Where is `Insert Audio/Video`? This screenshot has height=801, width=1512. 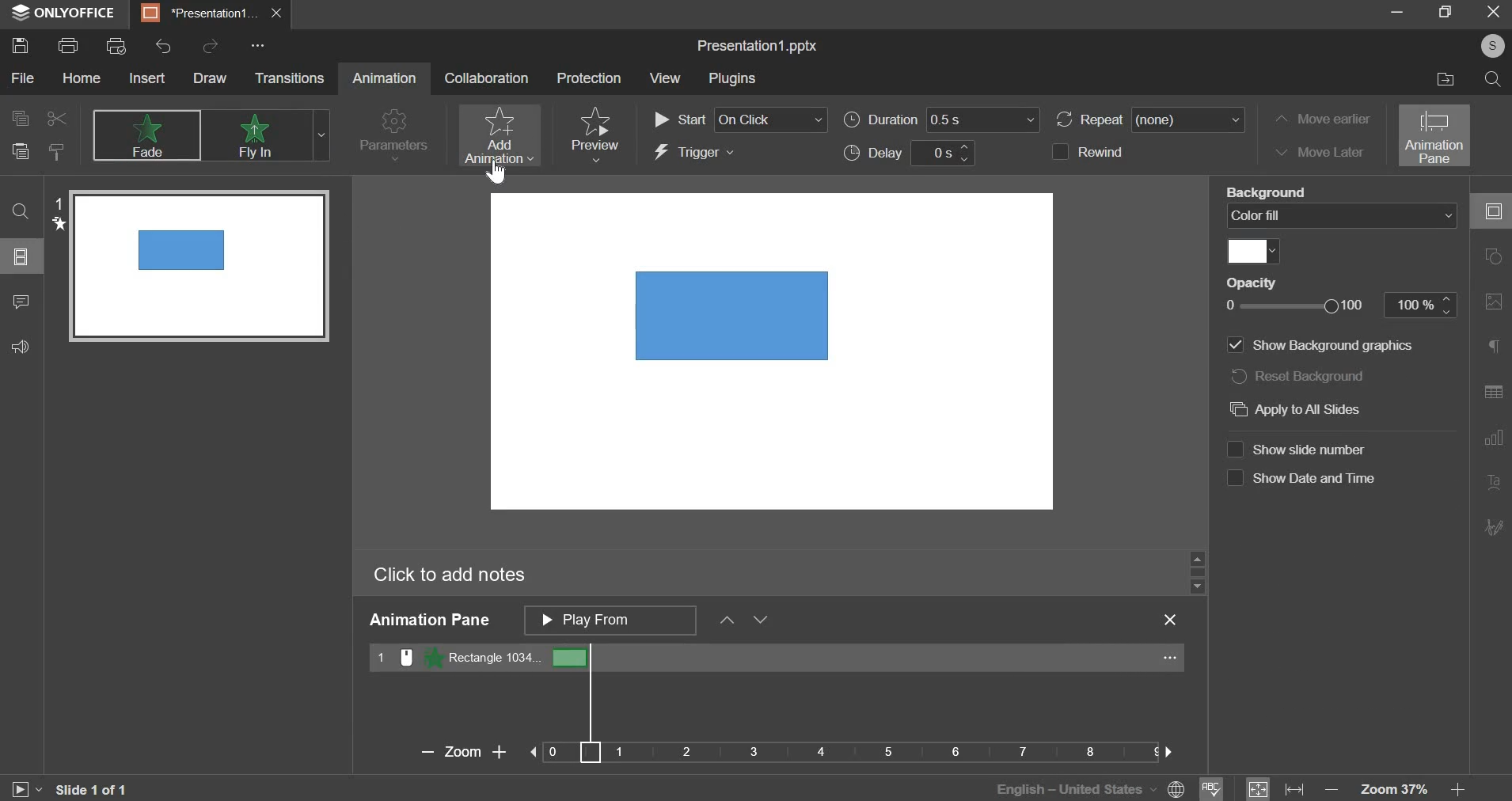 Insert Audio/Video is located at coordinates (1495, 482).